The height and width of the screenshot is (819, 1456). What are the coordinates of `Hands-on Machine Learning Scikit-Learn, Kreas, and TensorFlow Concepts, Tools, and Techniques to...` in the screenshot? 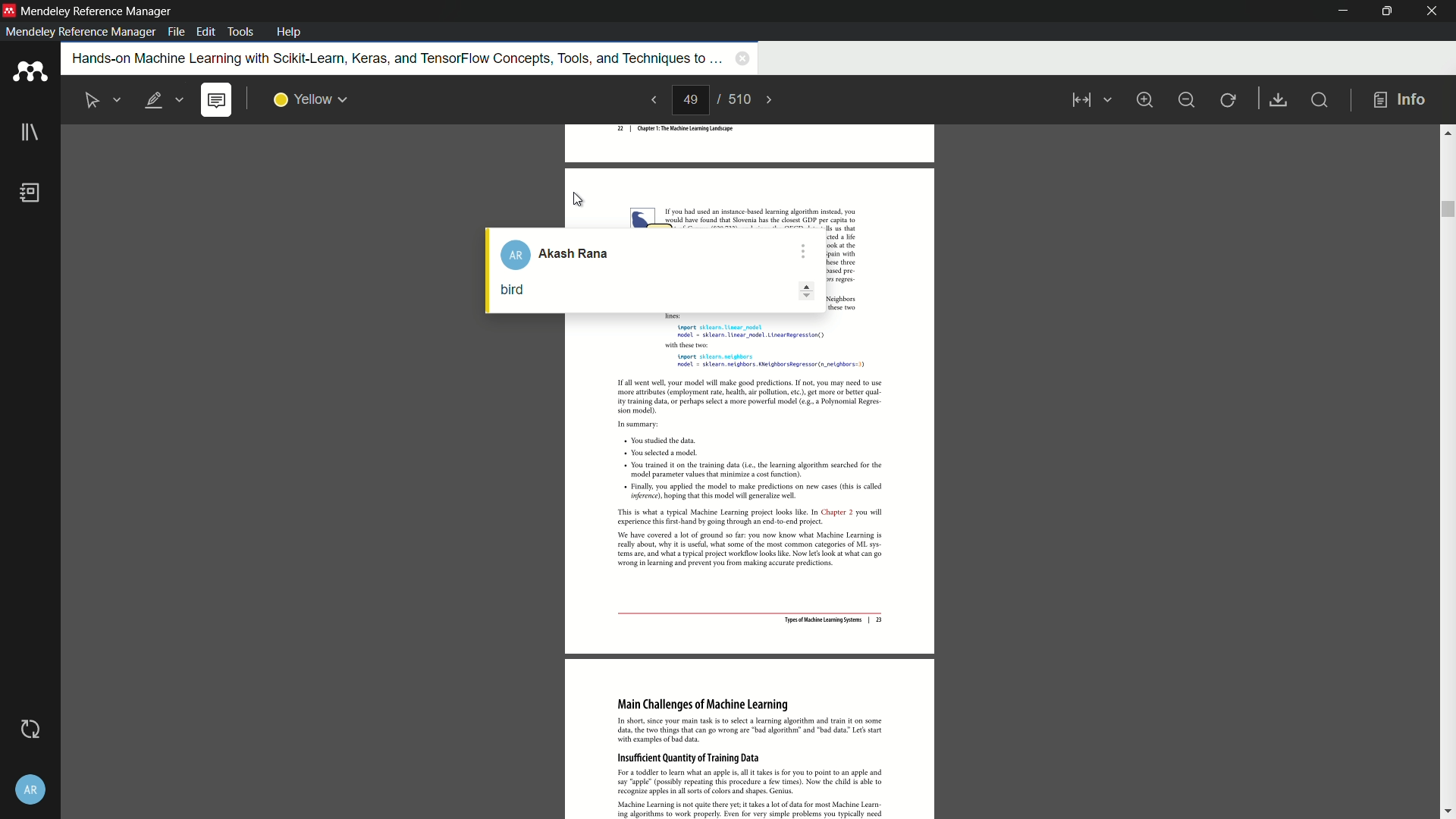 It's located at (388, 58).